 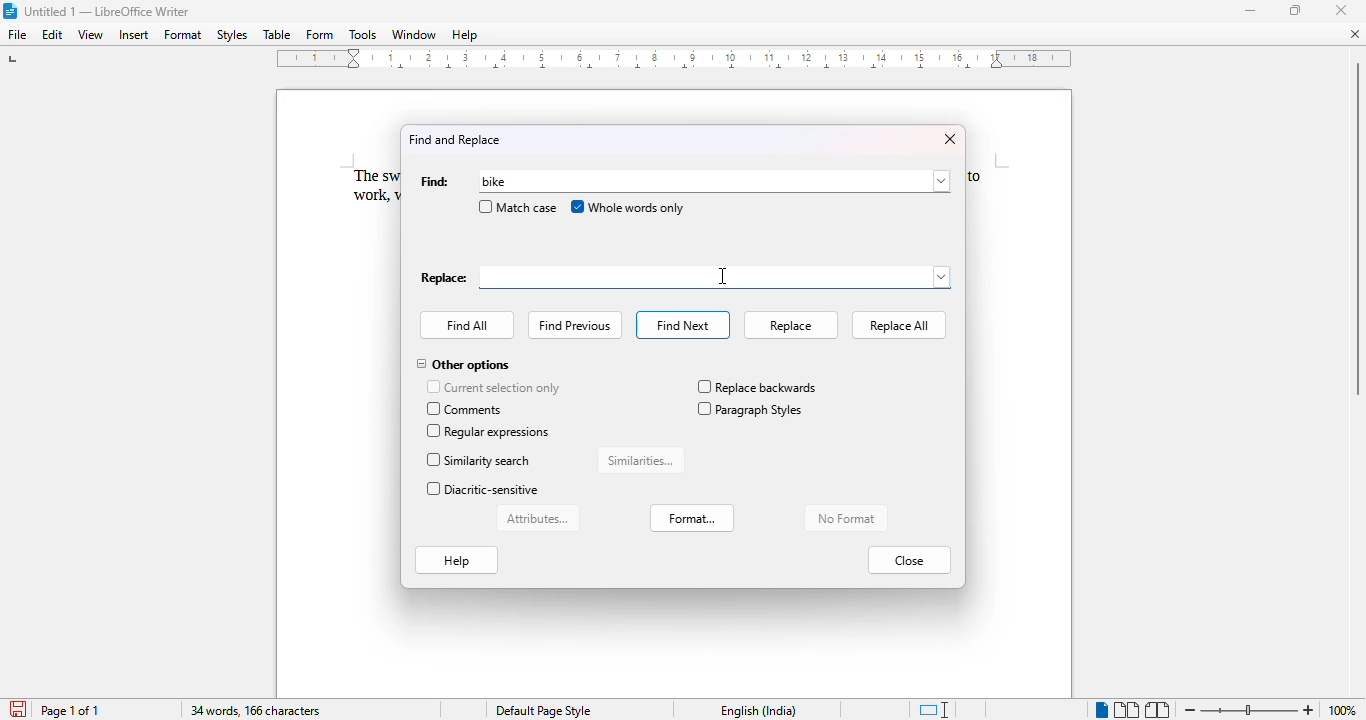 I want to click on form, so click(x=320, y=35).